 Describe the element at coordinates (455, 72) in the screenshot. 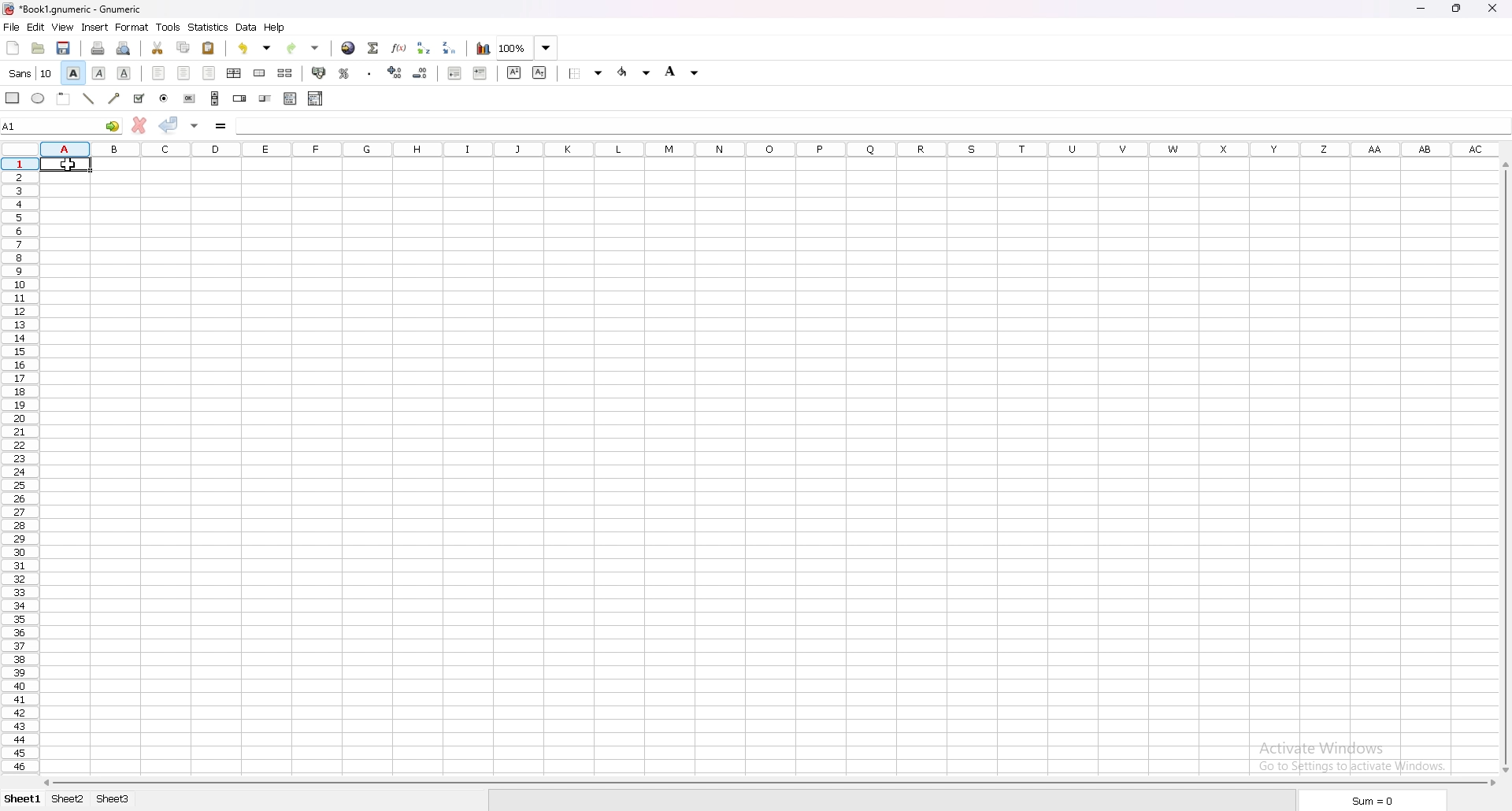

I see `decrease indent` at that location.